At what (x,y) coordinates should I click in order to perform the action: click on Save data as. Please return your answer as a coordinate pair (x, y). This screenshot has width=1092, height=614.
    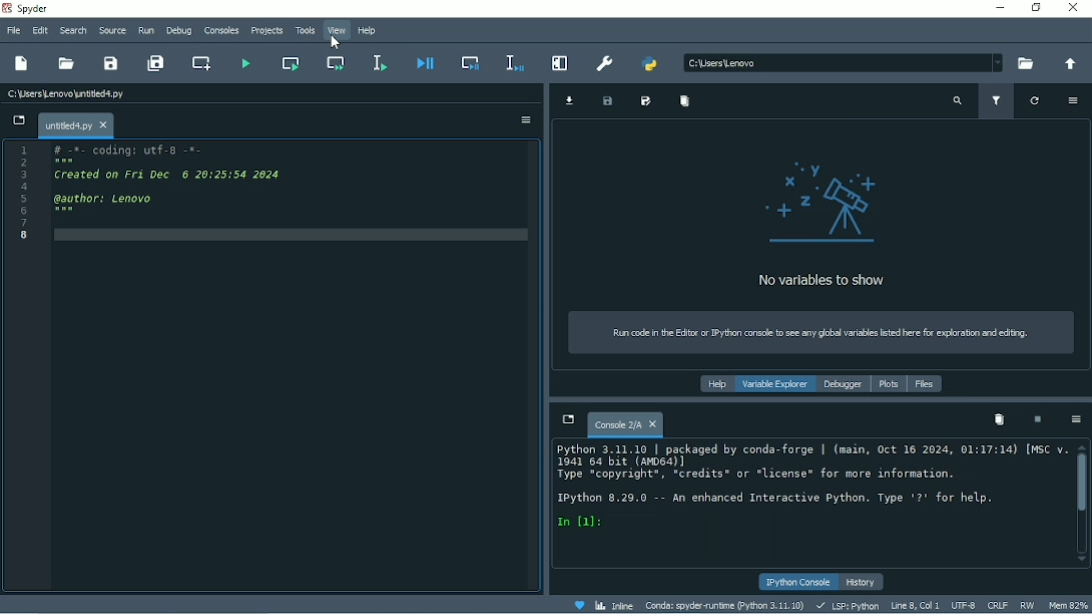
    Looking at the image, I should click on (646, 102).